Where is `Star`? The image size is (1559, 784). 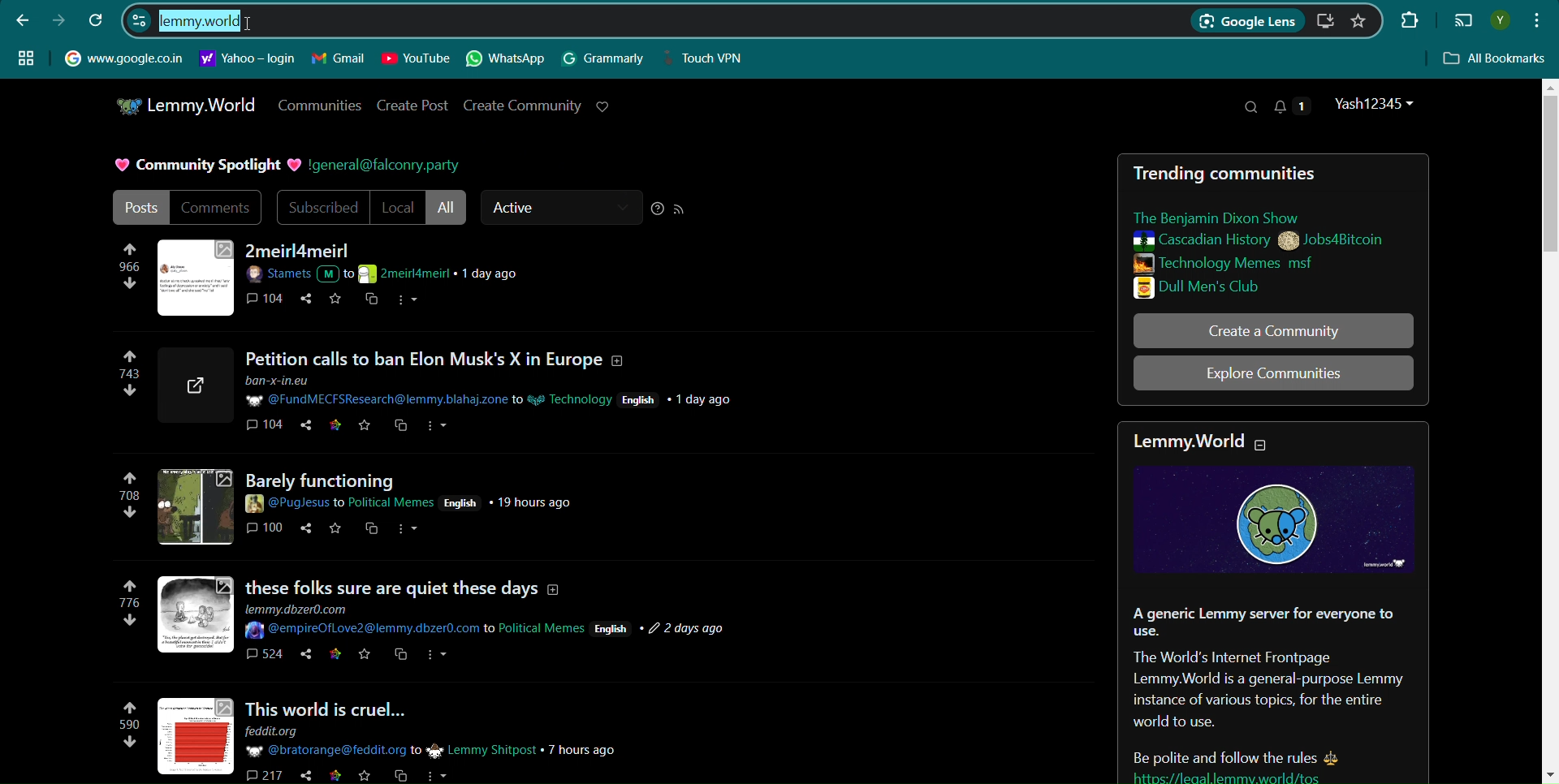
Star is located at coordinates (338, 300).